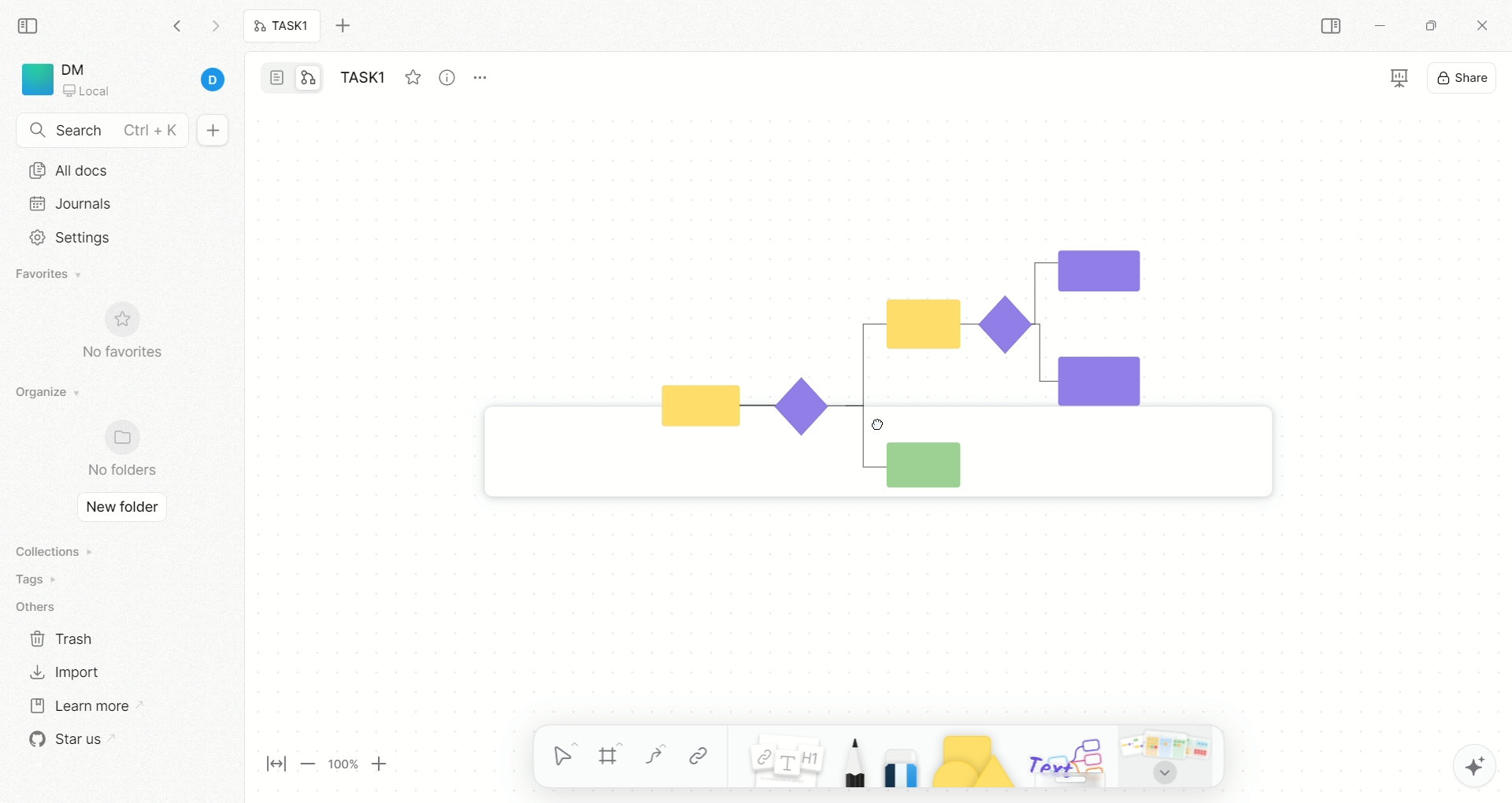 This screenshot has width=1512, height=803. Describe the element at coordinates (32, 24) in the screenshot. I see `collapse sidebar` at that location.